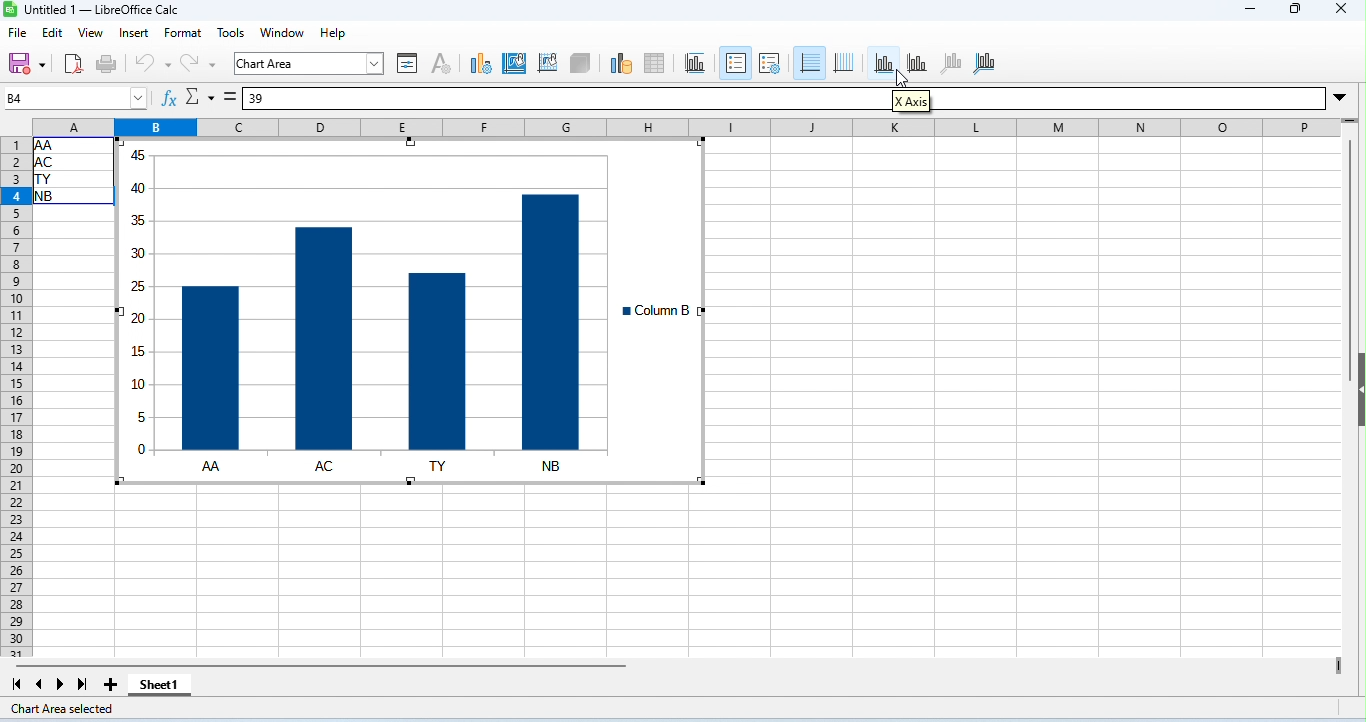 This screenshot has width=1366, height=722. What do you see at coordinates (953, 63) in the screenshot?
I see `z axis` at bounding box center [953, 63].